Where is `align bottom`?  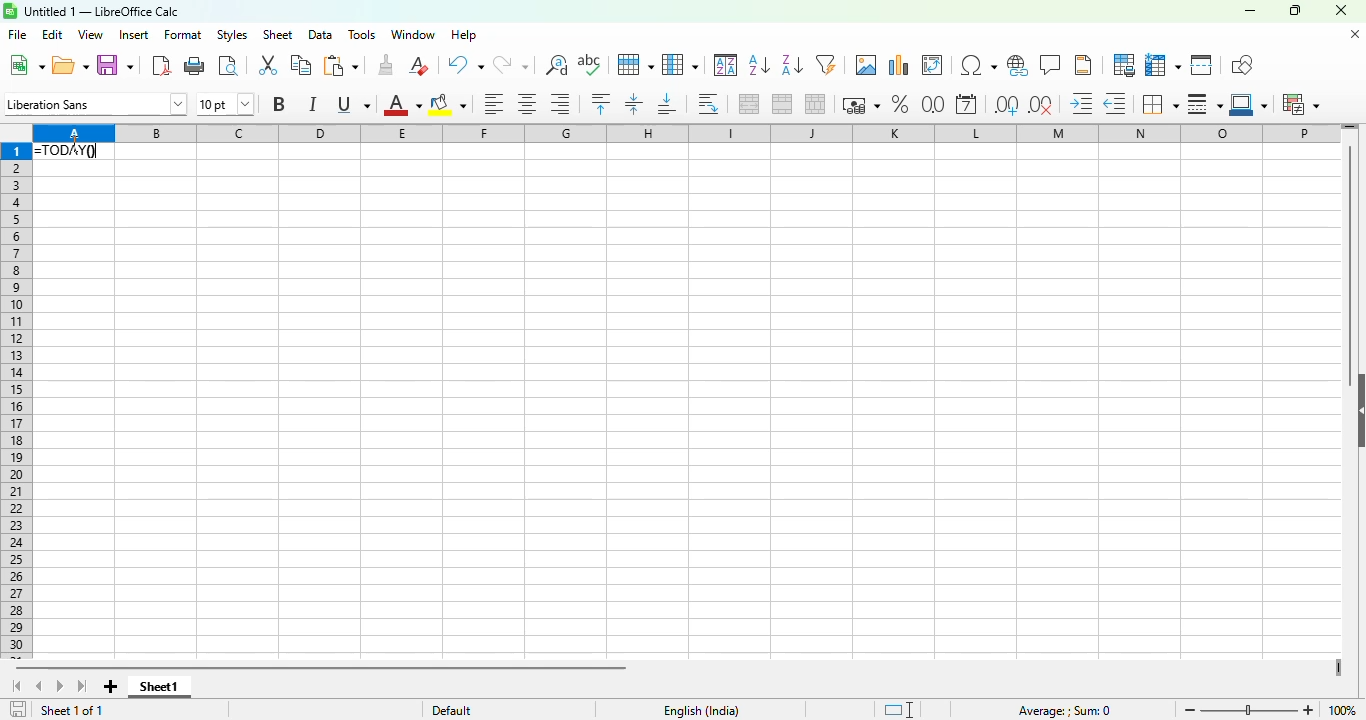
align bottom is located at coordinates (667, 104).